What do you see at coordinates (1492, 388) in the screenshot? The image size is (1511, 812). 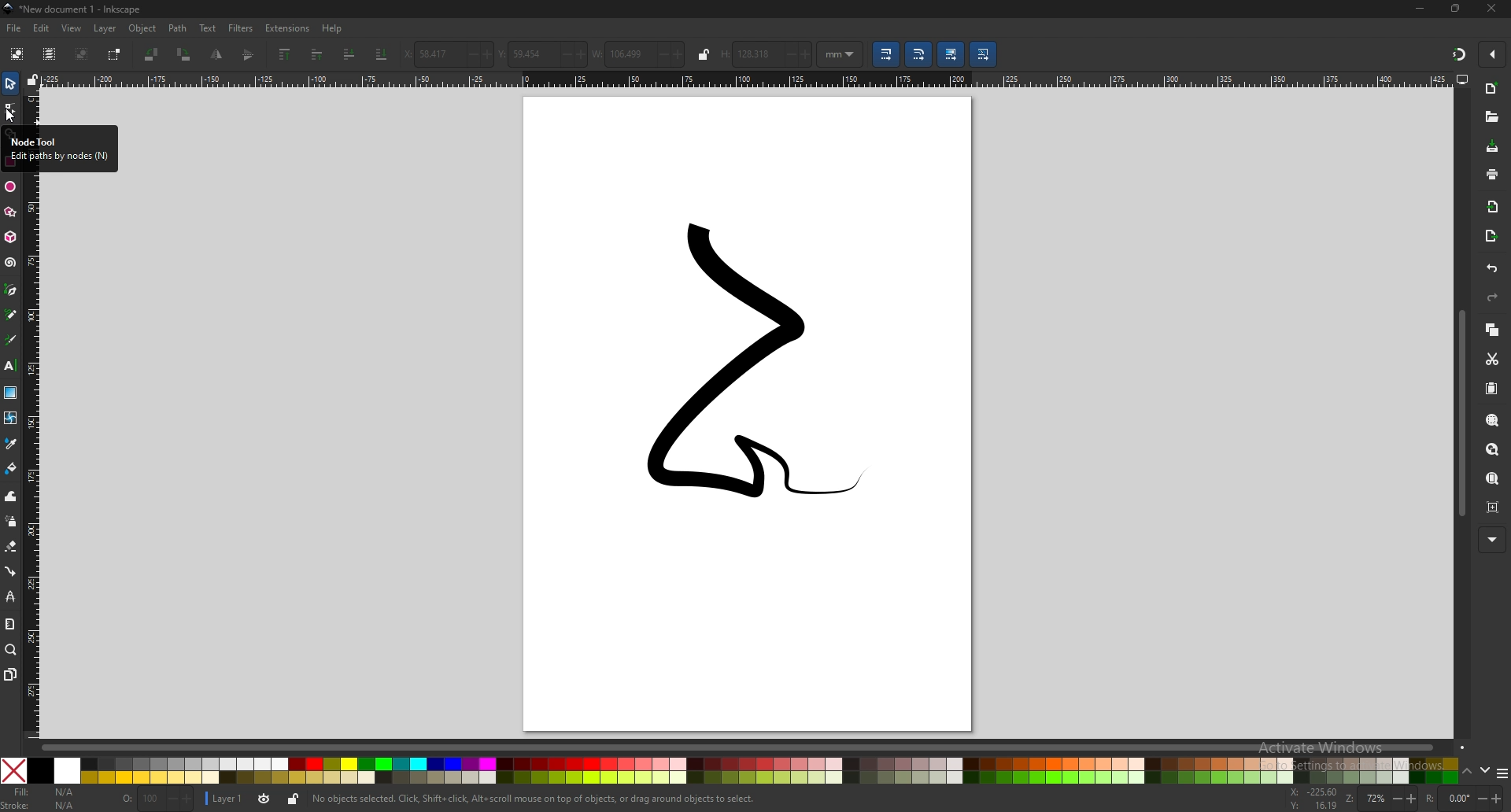 I see `paste` at bounding box center [1492, 388].